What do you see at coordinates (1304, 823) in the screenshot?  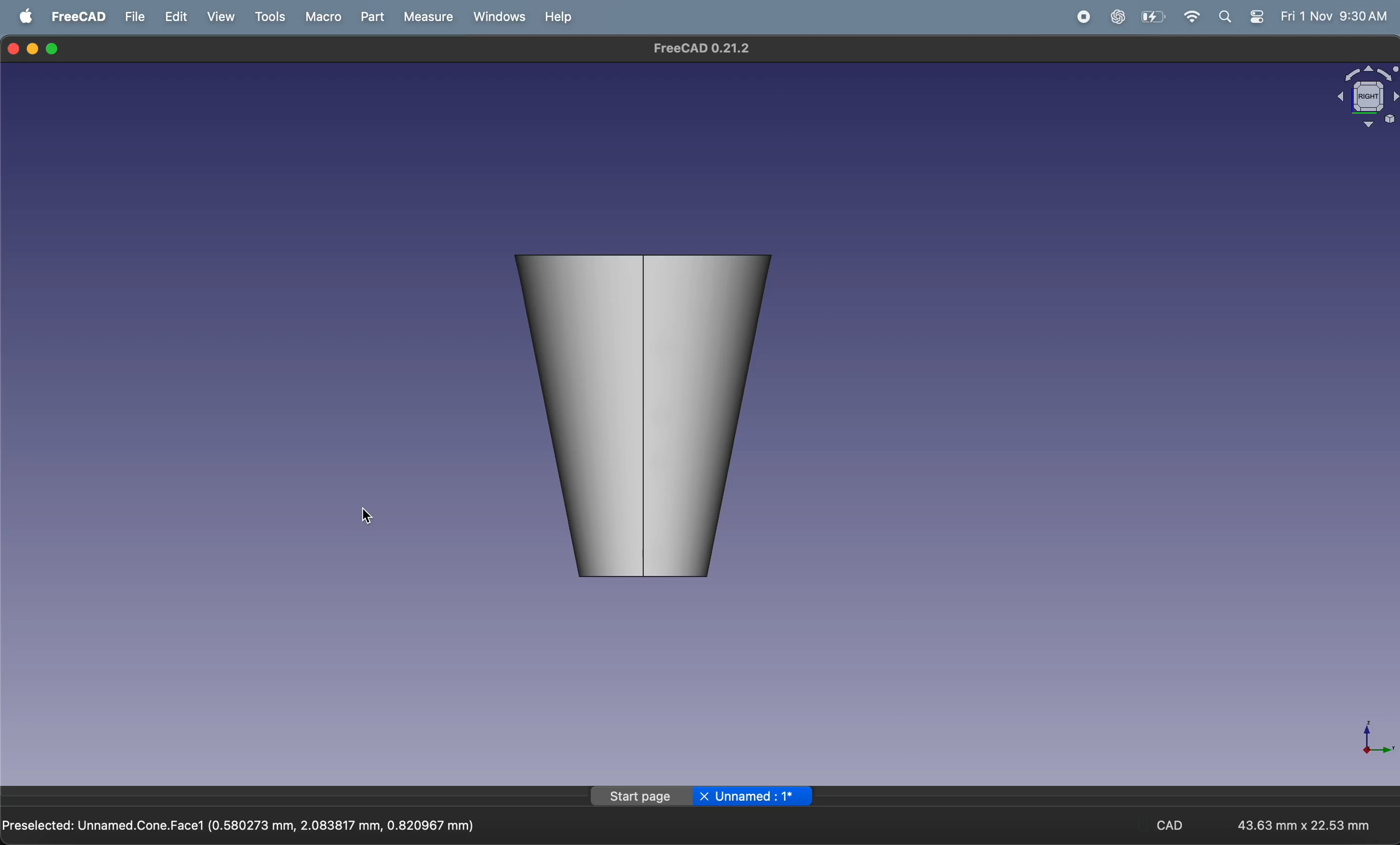 I see `43.63 mm x 22.53 mm` at bounding box center [1304, 823].